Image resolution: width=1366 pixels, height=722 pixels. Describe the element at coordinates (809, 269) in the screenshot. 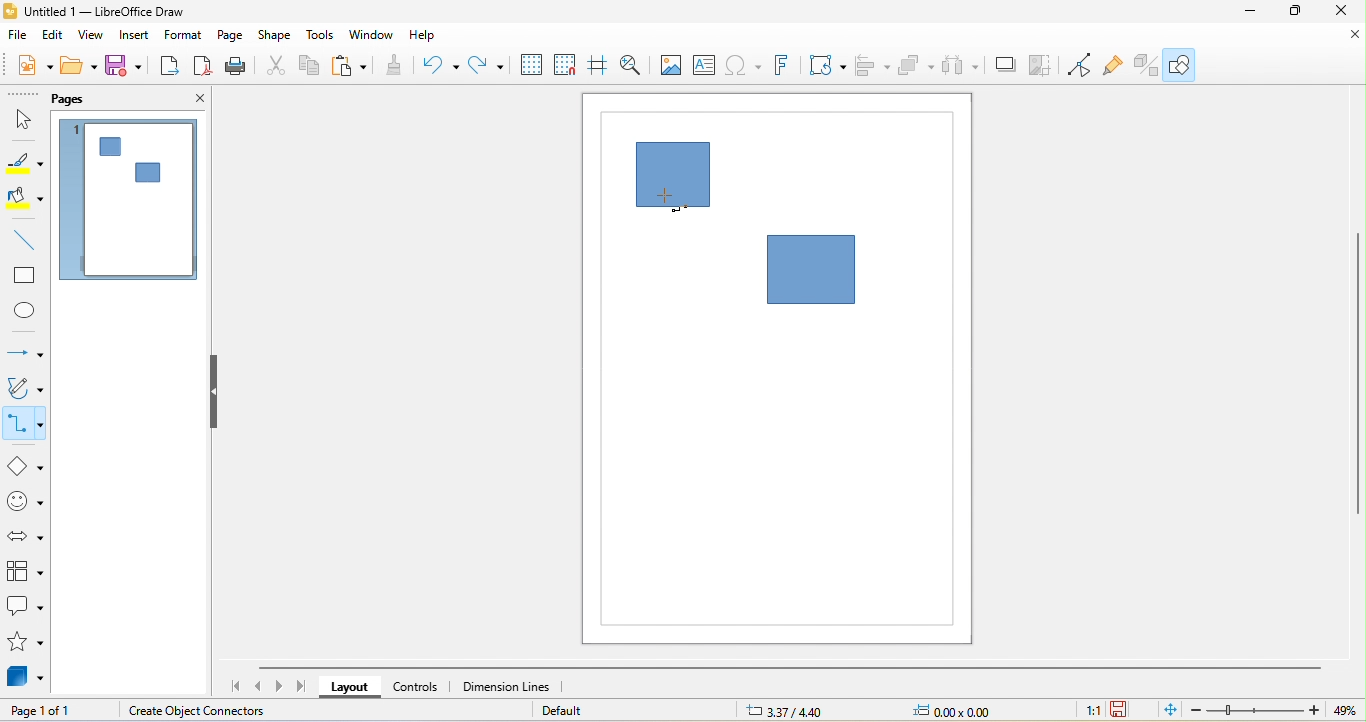

I see `shape` at that location.